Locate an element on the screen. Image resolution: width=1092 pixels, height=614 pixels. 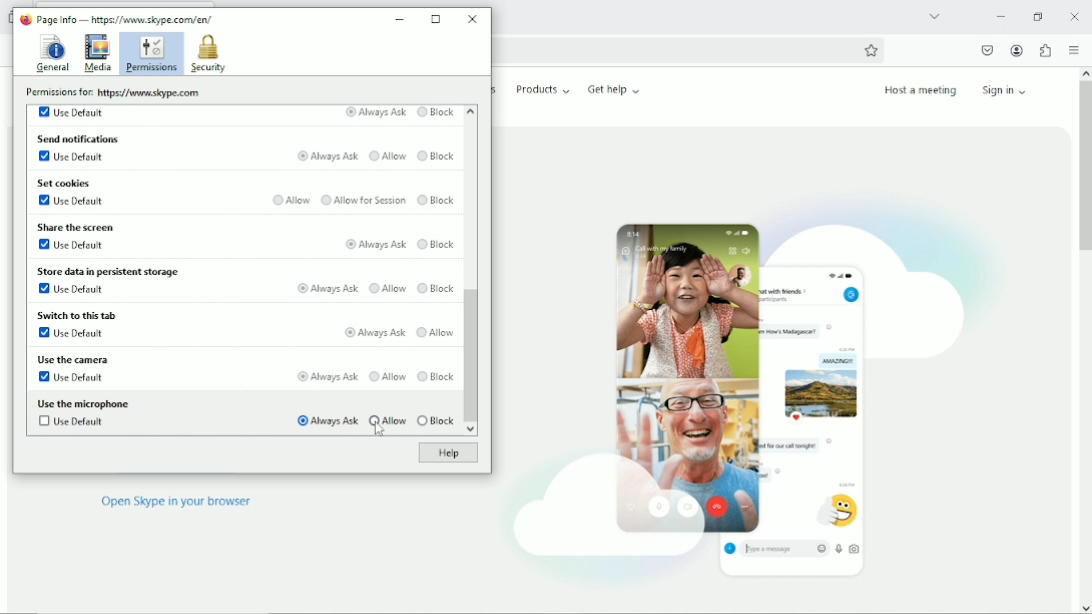
Use default is located at coordinates (74, 158).